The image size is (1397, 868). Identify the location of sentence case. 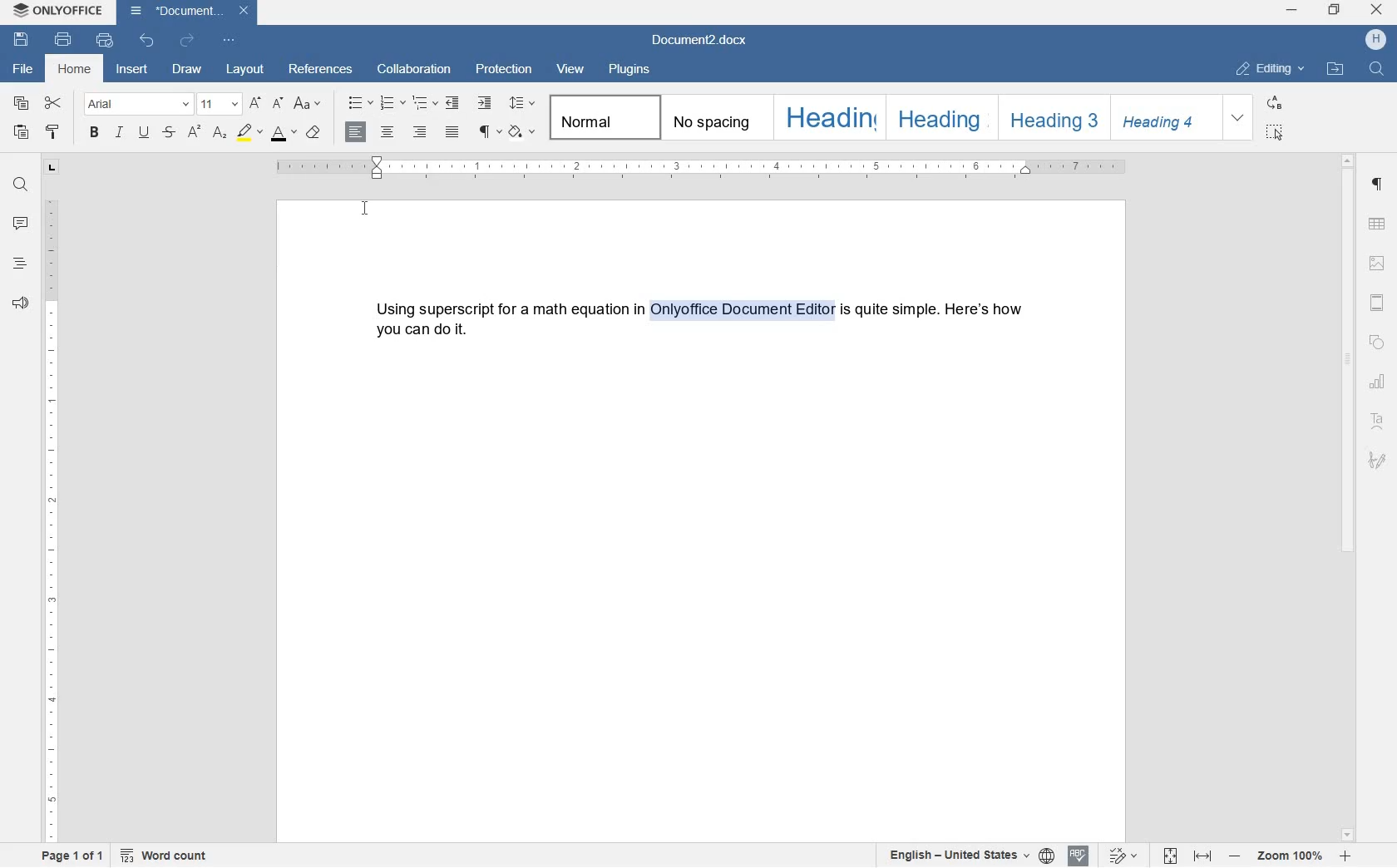
(351, 136).